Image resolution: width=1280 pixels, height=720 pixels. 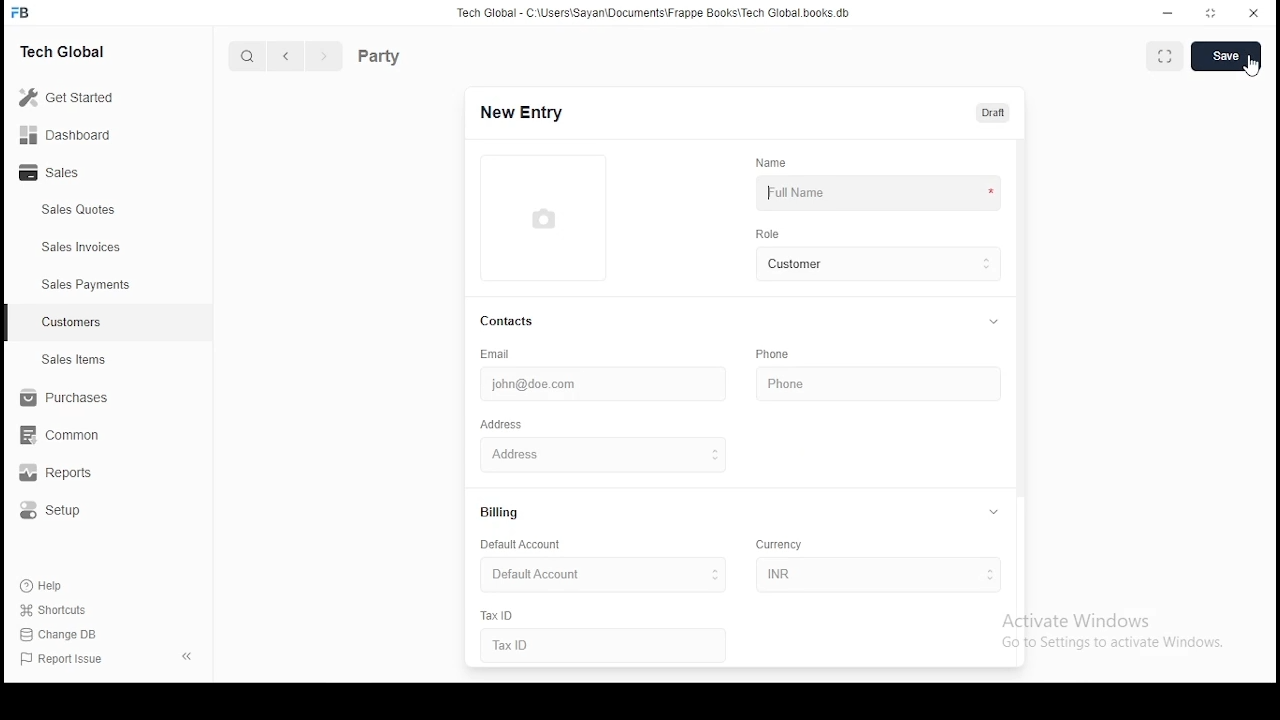 What do you see at coordinates (500, 616) in the screenshot?
I see `tax ID` at bounding box center [500, 616].